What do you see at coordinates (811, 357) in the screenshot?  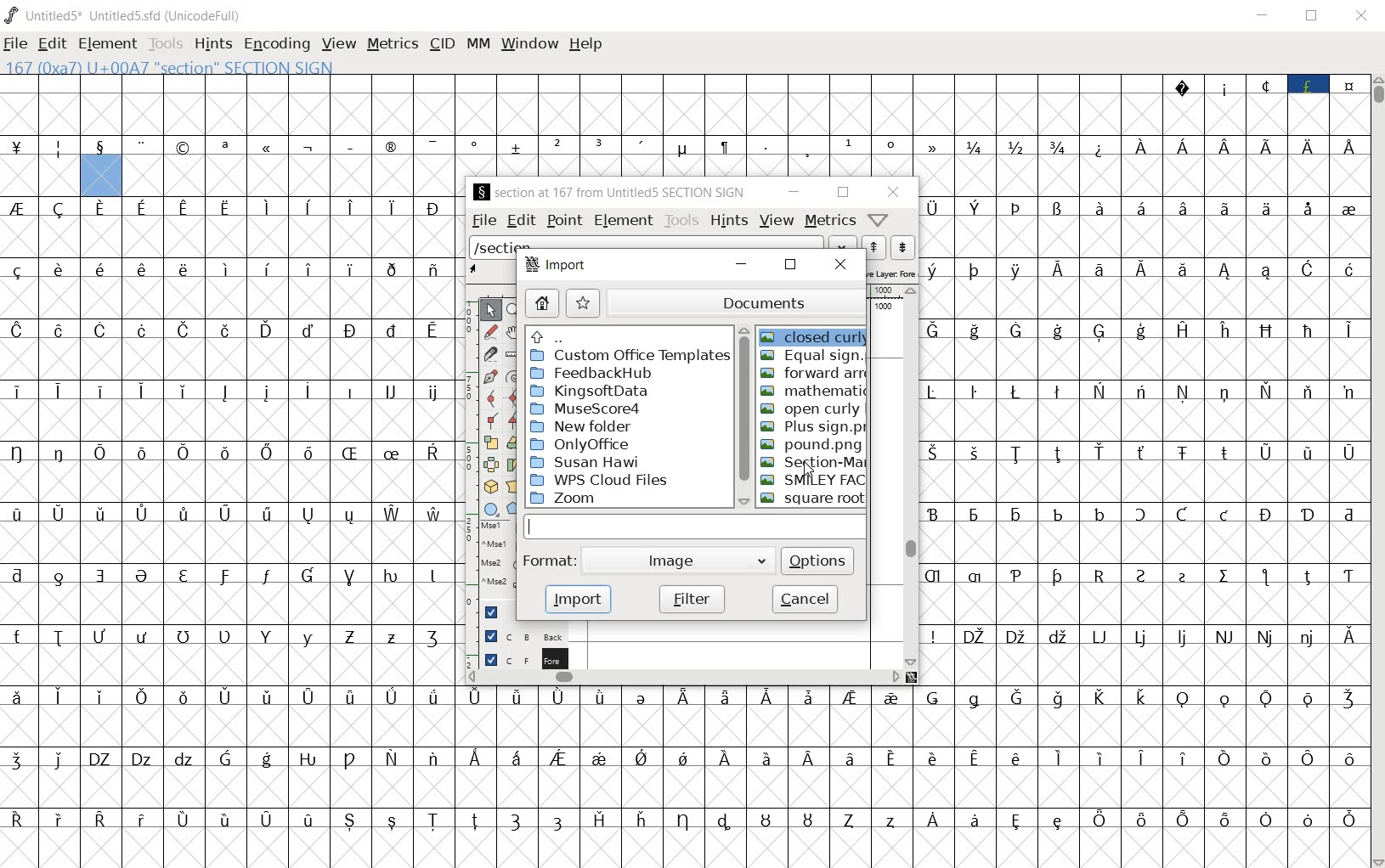 I see `EQUAL SIGN.PNG` at bounding box center [811, 357].